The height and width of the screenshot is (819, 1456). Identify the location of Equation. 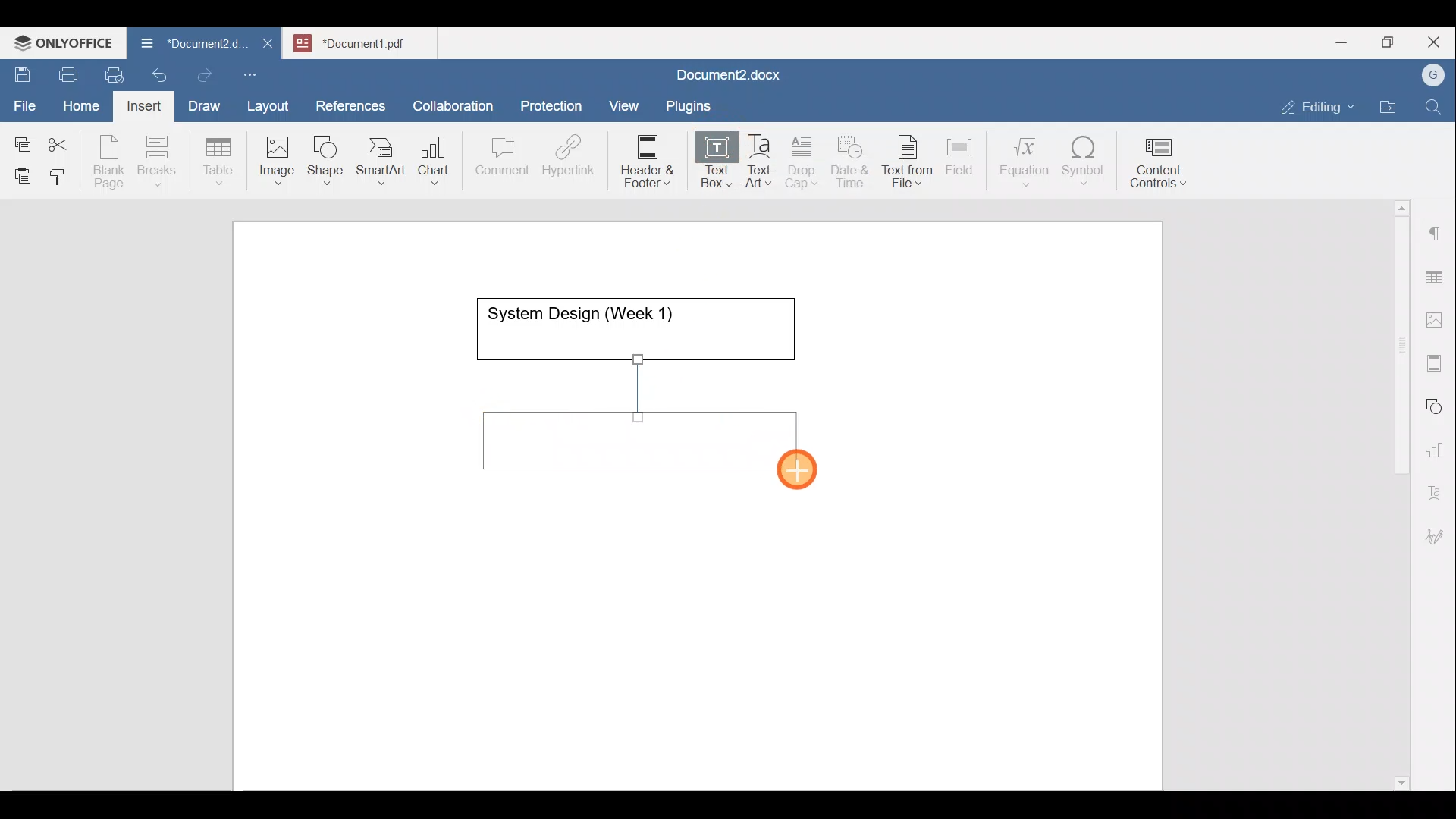
(1028, 161).